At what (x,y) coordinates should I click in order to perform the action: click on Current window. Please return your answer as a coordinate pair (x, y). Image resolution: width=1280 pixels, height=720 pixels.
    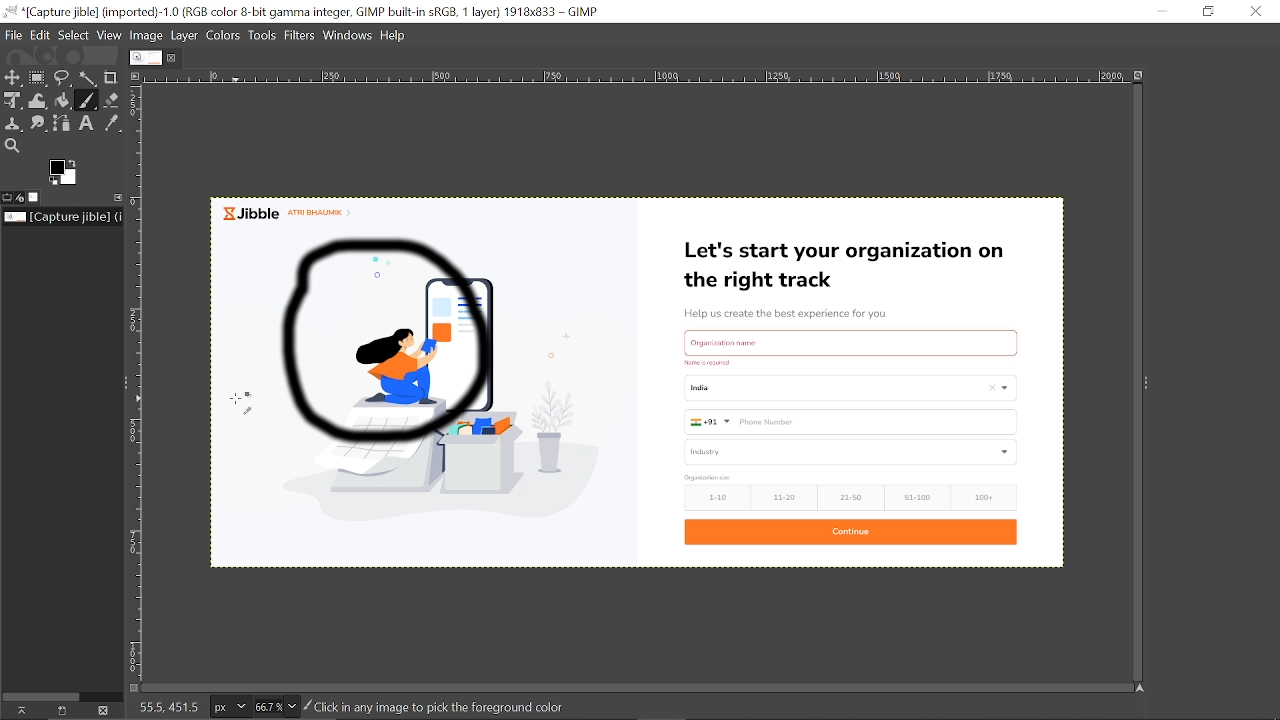
    Looking at the image, I should click on (300, 12).